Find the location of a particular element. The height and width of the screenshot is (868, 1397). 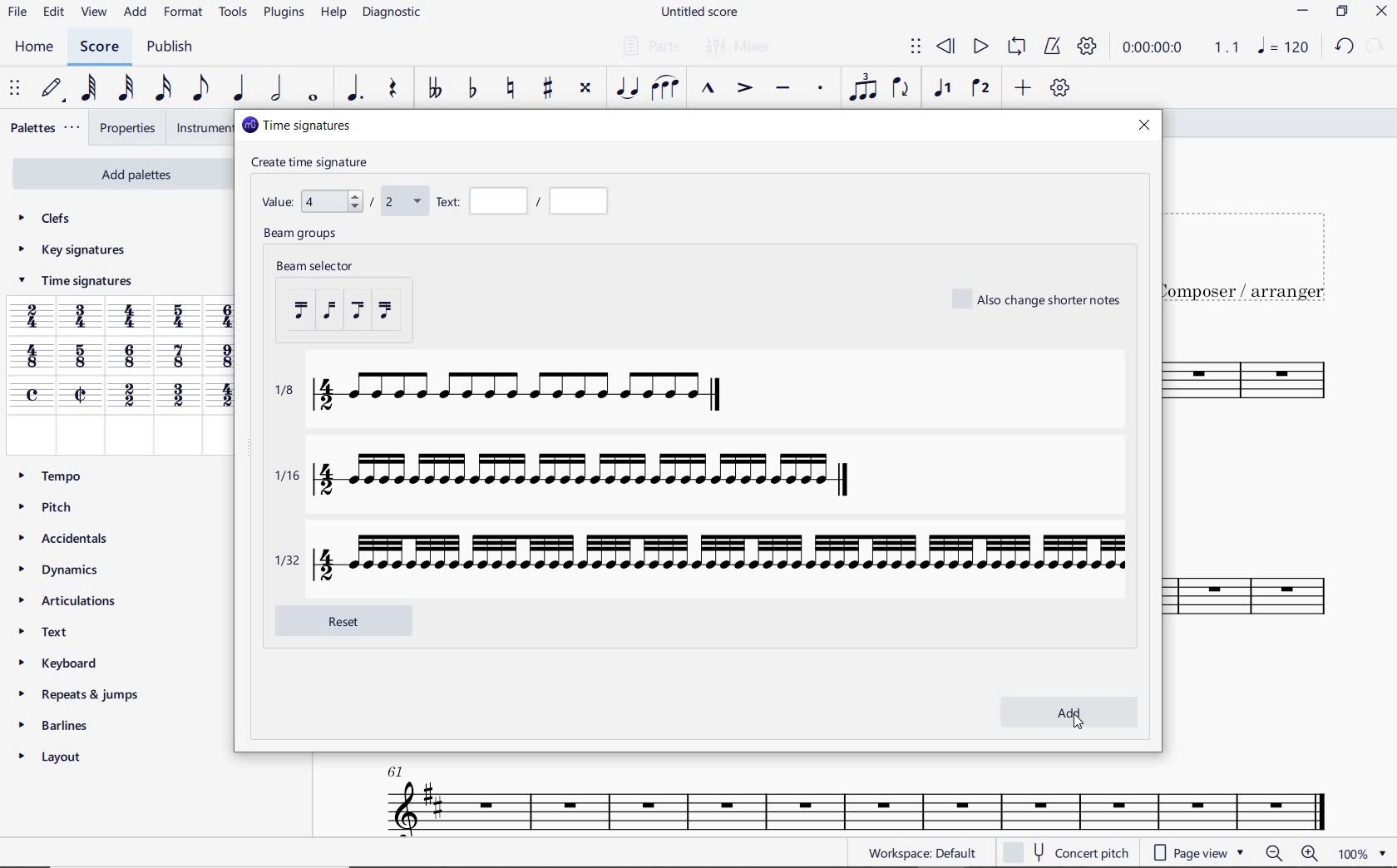

LAYOUT is located at coordinates (54, 757).